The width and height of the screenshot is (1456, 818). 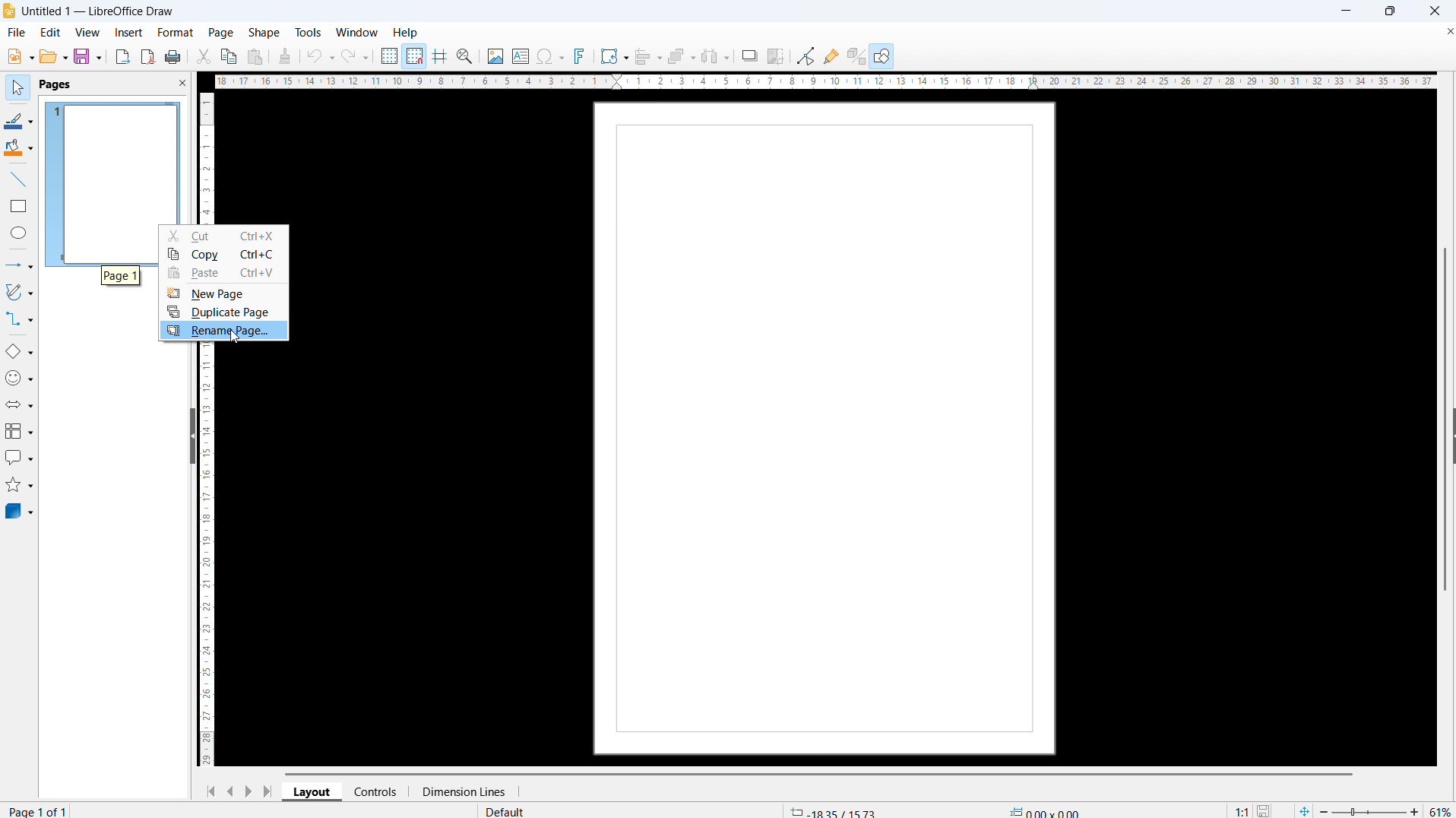 I want to click on rectangle, so click(x=19, y=207).